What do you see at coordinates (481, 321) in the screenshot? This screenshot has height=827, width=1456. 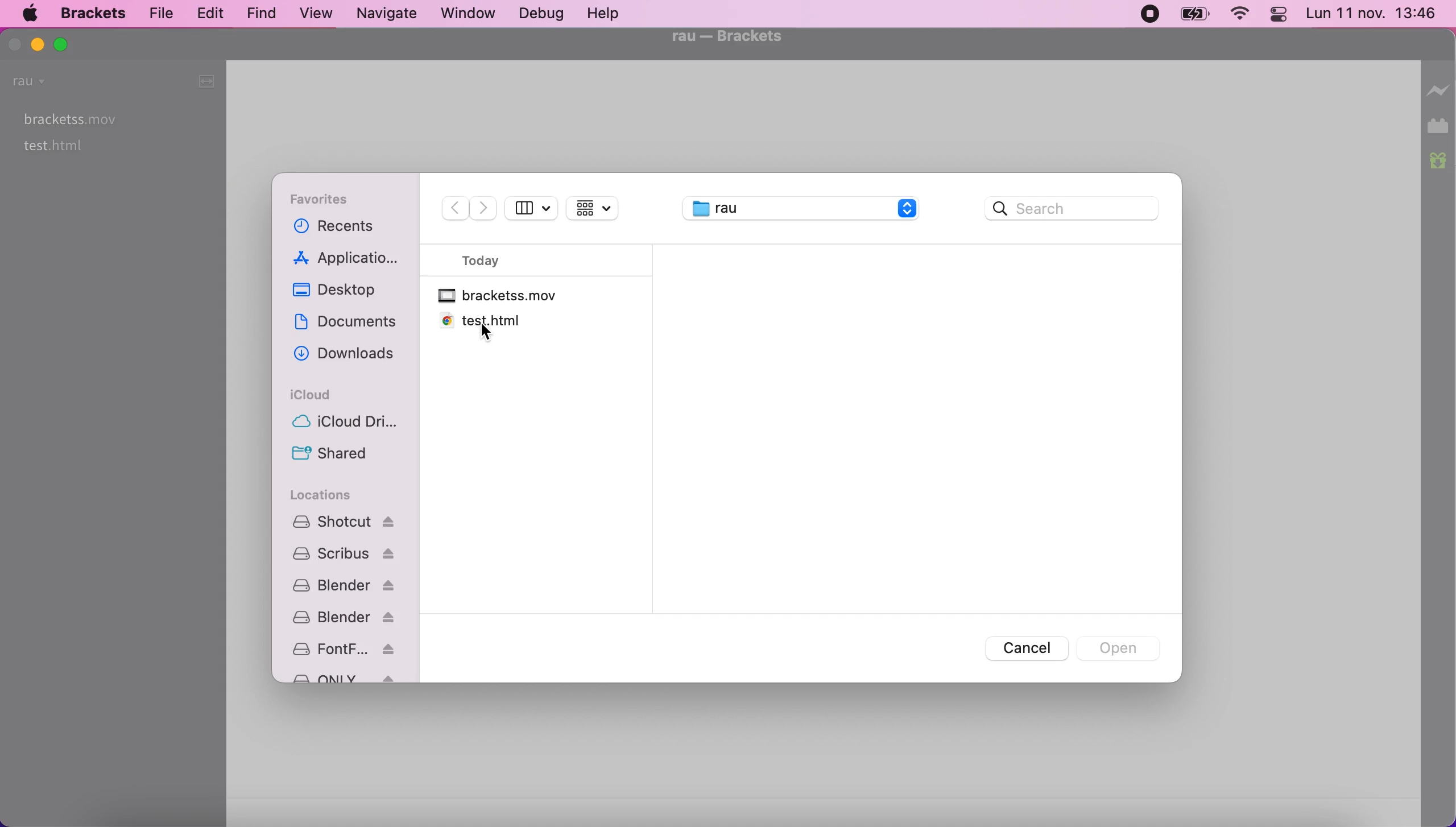 I see `test file` at bounding box center [481, 321].